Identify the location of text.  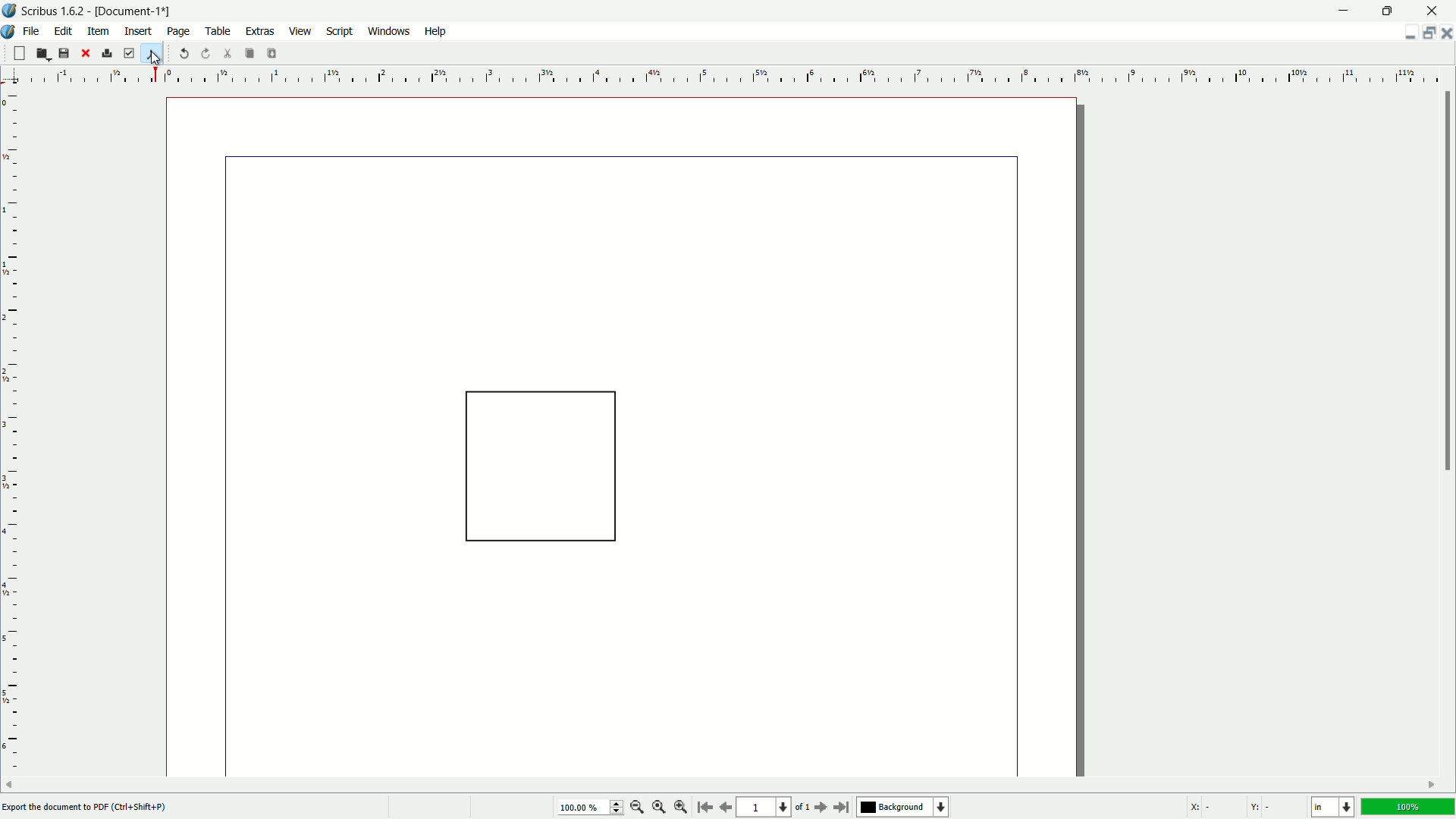
(89, 806).